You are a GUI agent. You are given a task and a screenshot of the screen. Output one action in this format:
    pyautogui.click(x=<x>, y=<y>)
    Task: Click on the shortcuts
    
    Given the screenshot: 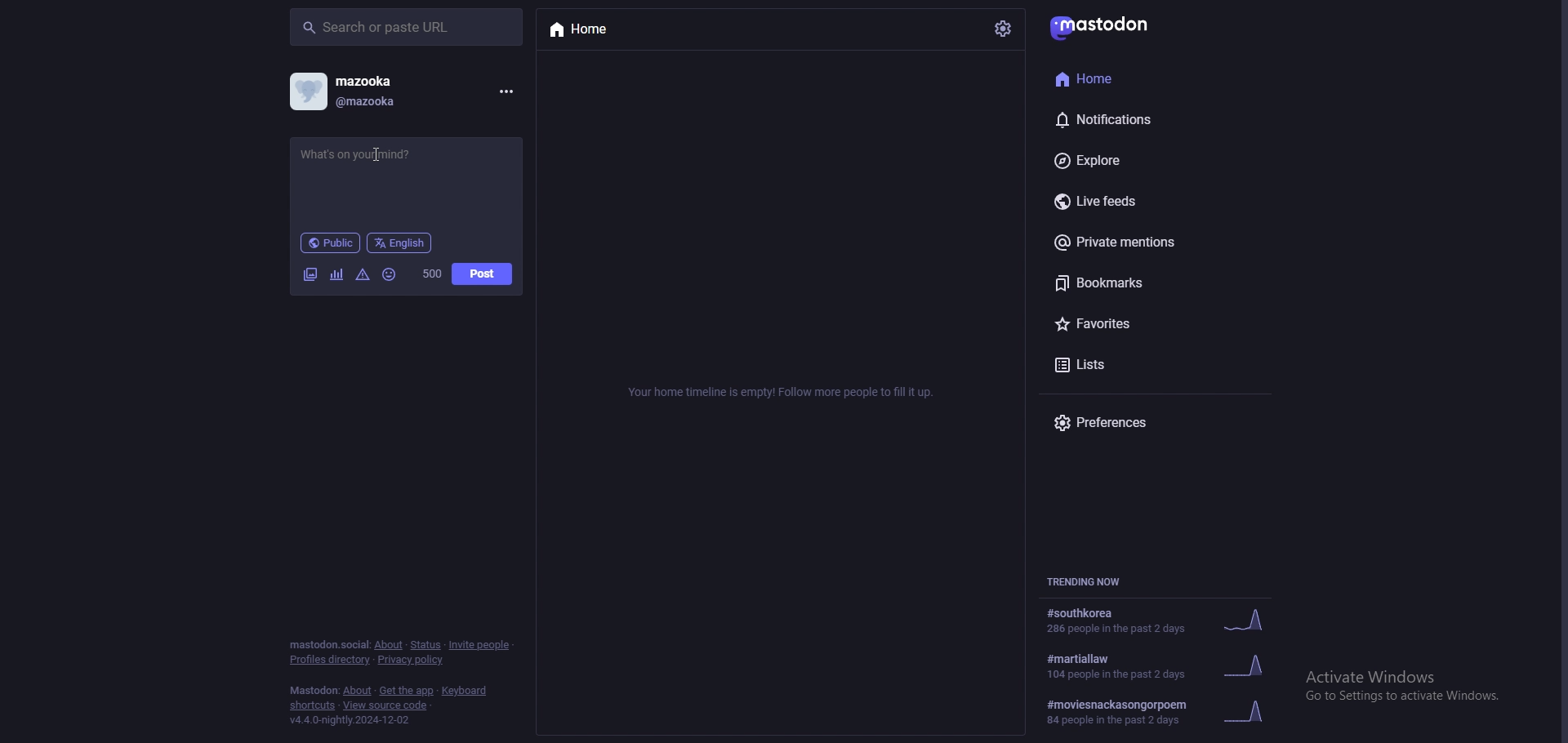 What is the action you would take?
    pyautogui.click(x=311, y=706)
    